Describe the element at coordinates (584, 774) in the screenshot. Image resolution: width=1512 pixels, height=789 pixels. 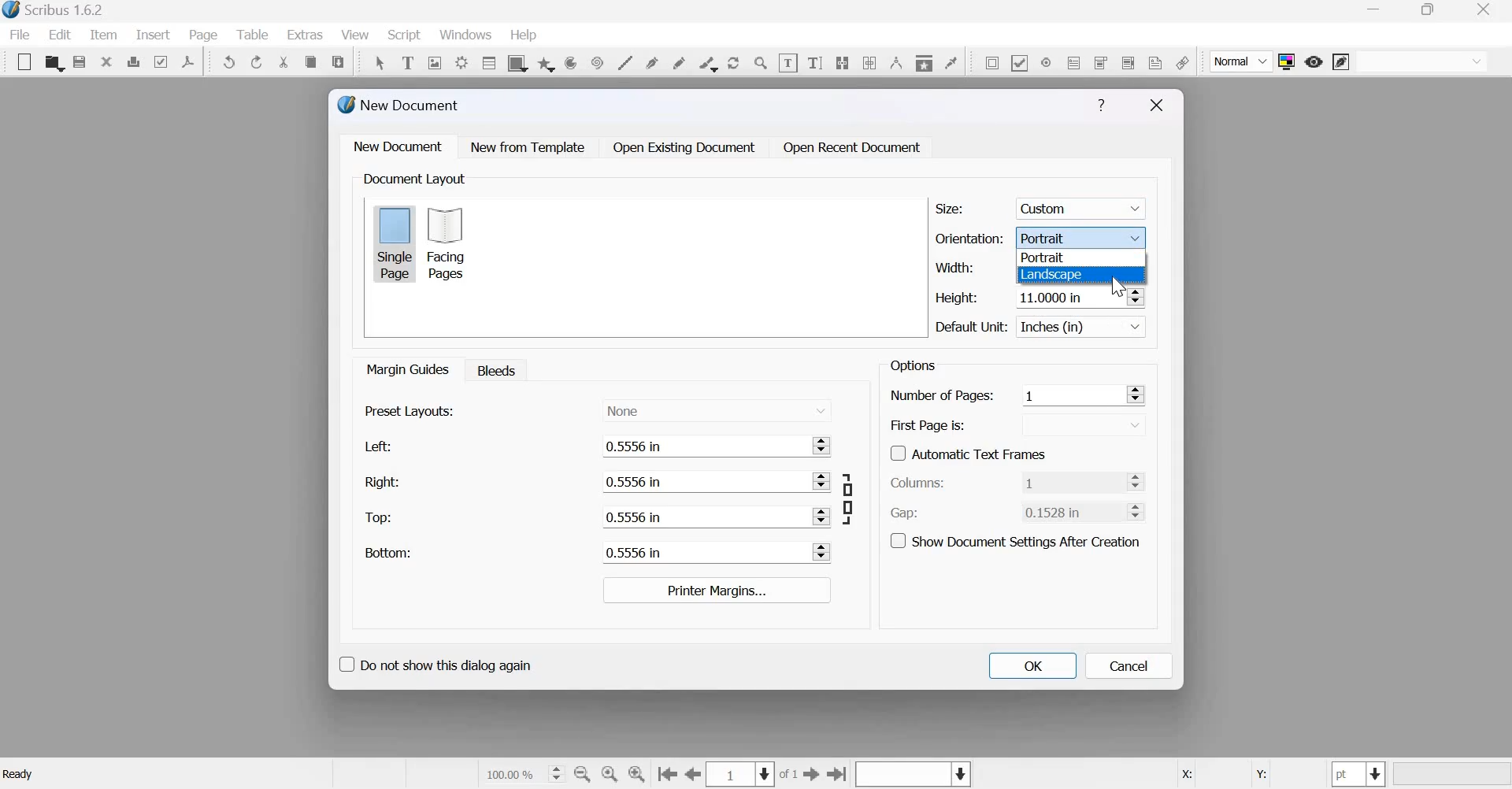
I see `zoom out by the stepping values in tool preferences` at that location.